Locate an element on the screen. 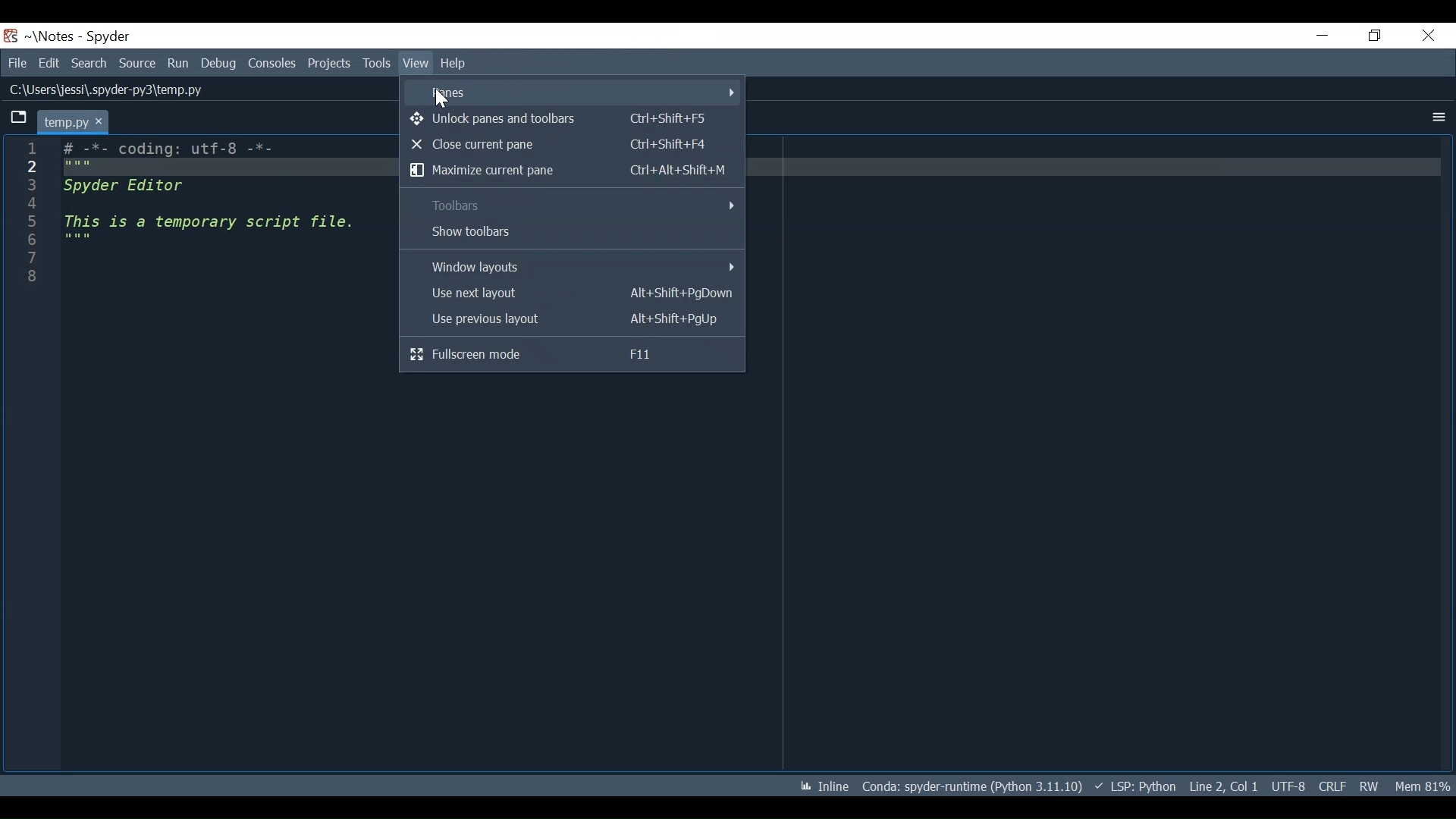 This screenshot has height=819, width=1456. Debug is located at coordinates (218, 63).